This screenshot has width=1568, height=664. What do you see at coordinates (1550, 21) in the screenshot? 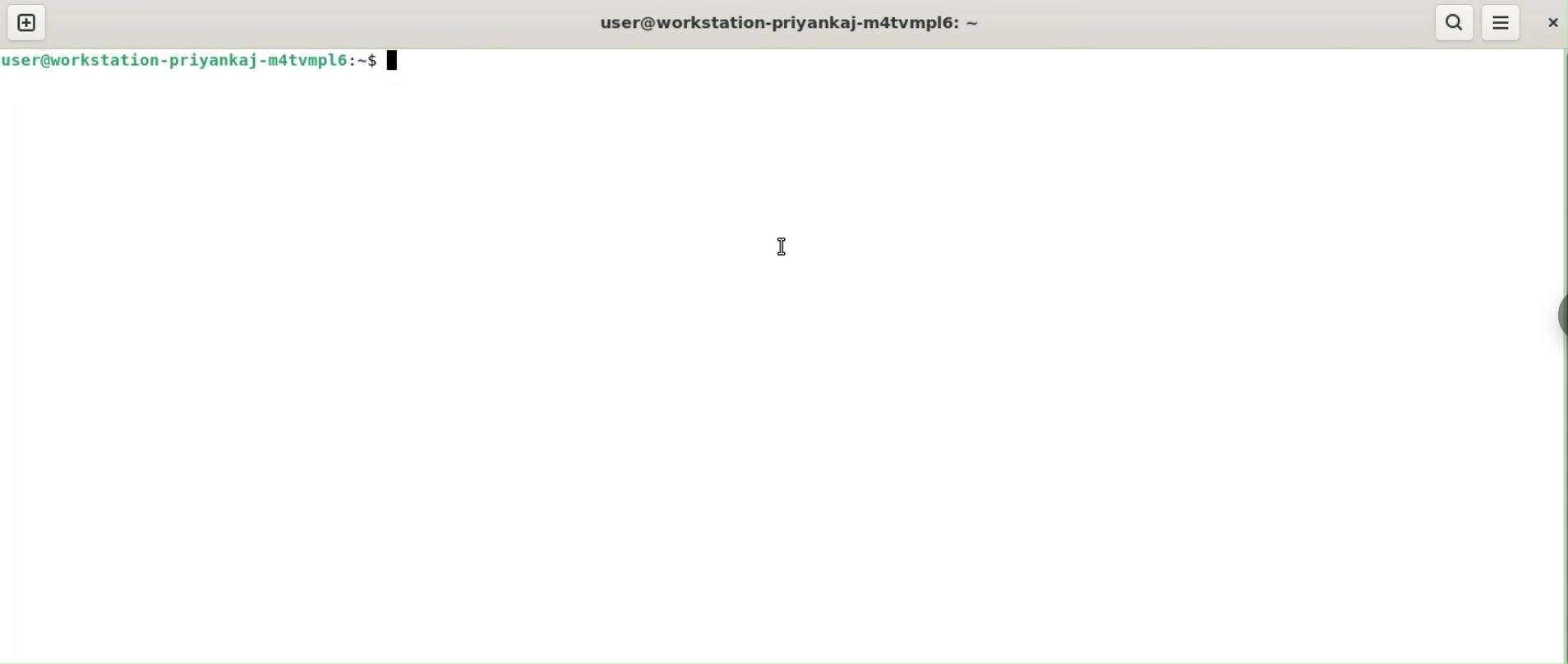
I see `close` at bounding box center [1550, 21].